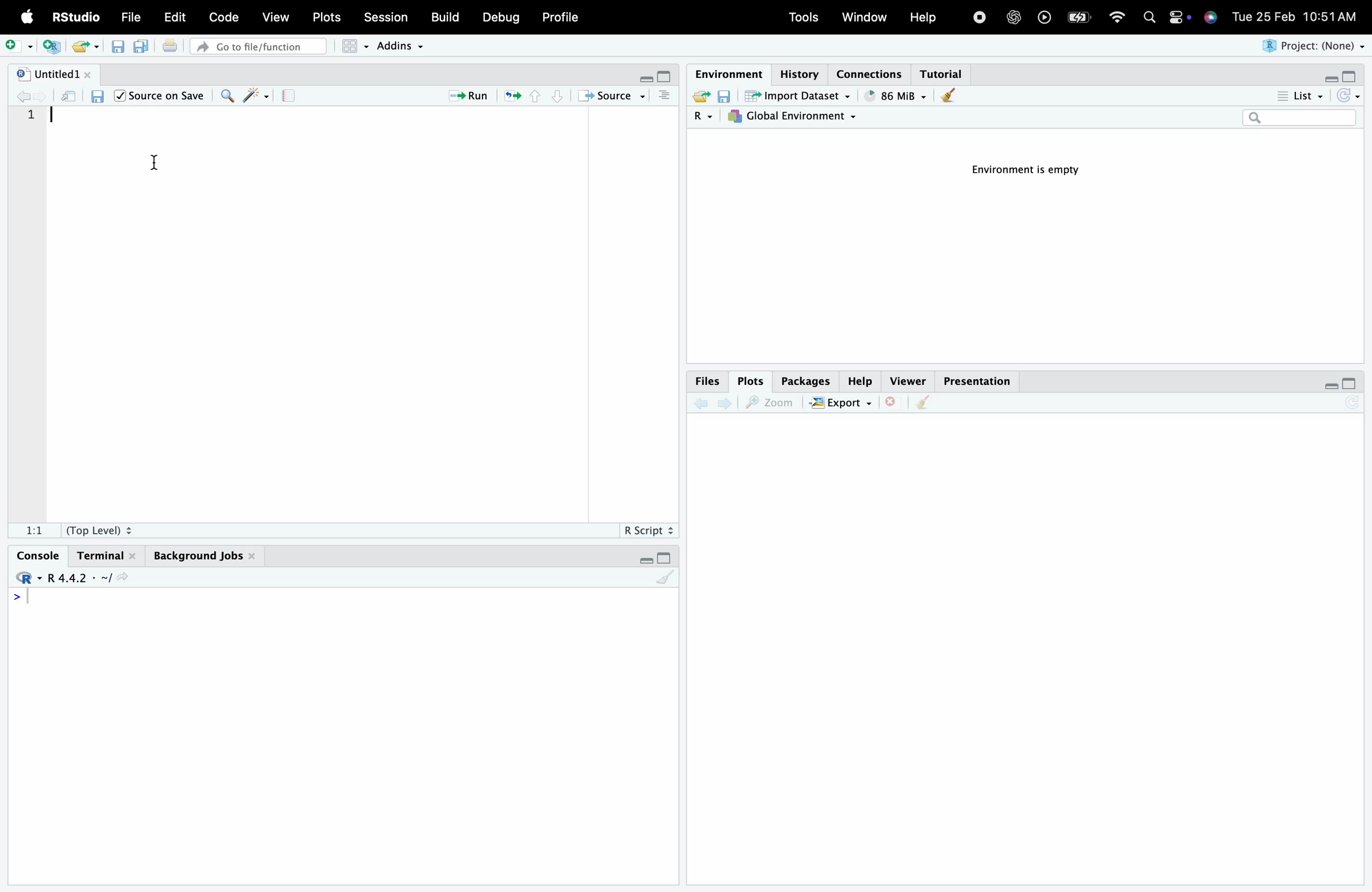 The image size is (1372, 892). What do you see at coordinates (28, 18) in the screenshot?
I see `logo` at bounding box center [28, 18].